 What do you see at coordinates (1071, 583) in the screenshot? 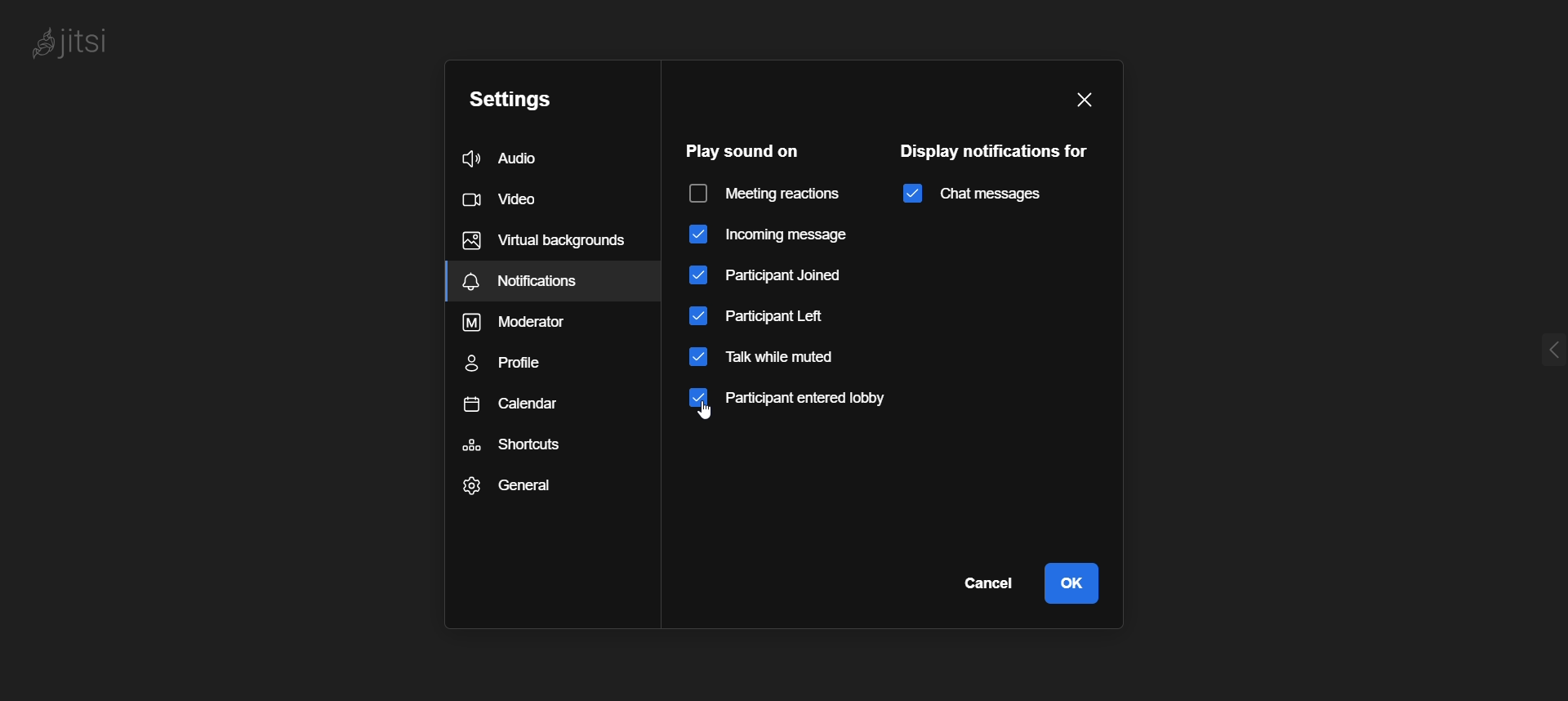
I see `ok` at bounding box center [1071, 583].